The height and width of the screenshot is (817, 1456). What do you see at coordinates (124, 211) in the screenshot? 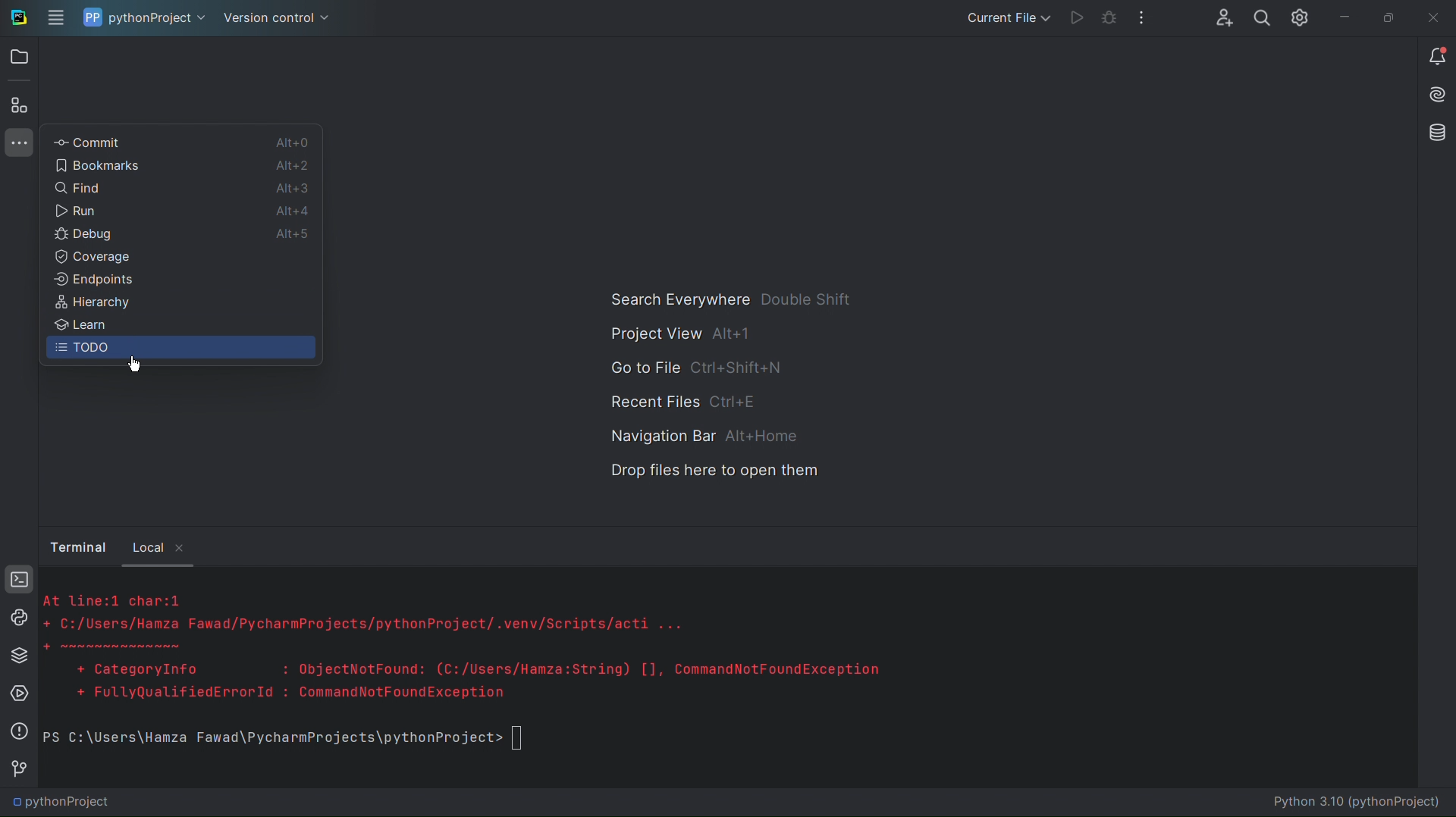
I see `Run` at bounding box center [124, 211].